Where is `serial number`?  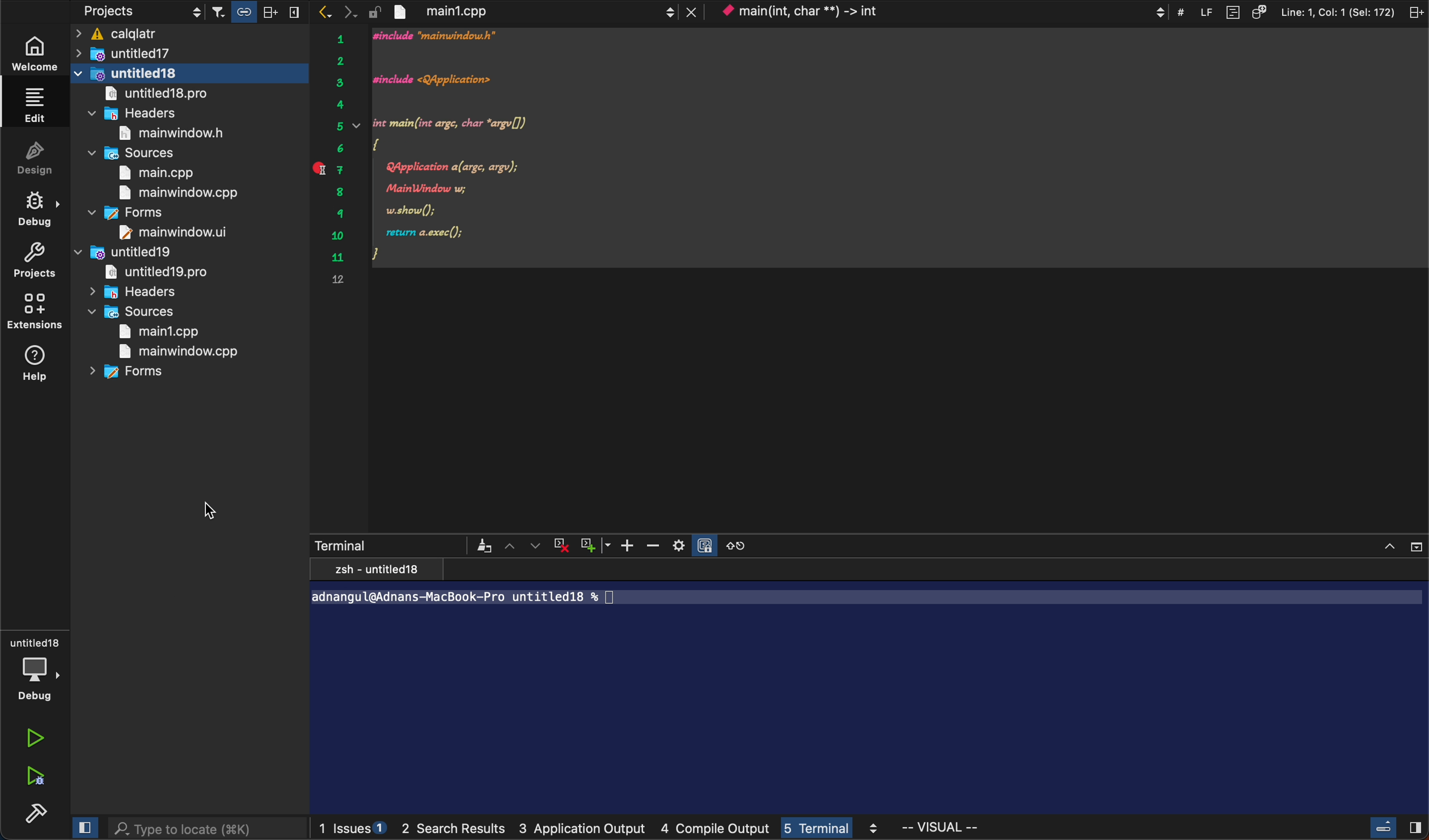
serial number is located at coordinates (339, 163).